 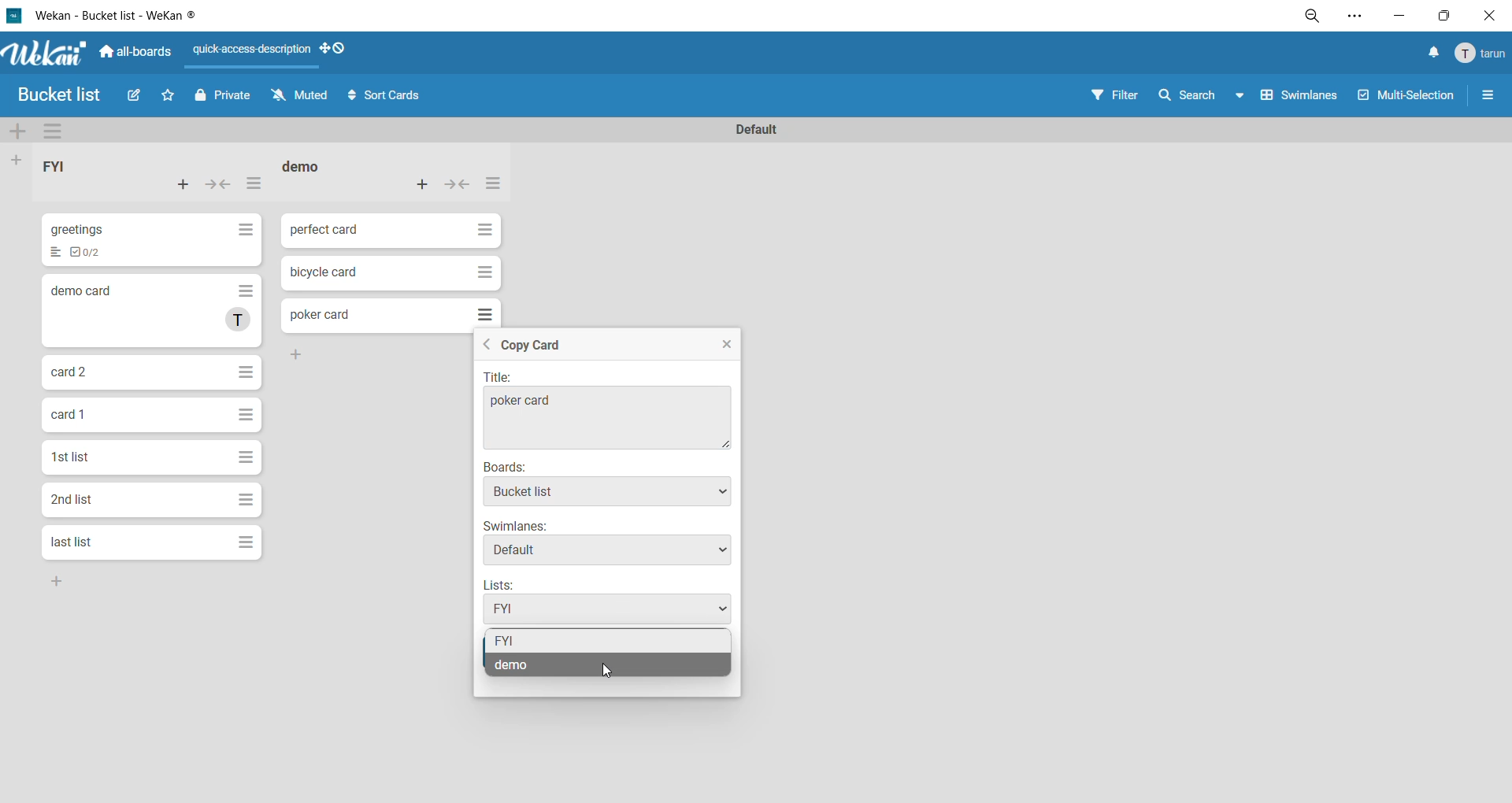 What do you see at coordinates (242, 372) in the screenshot?
I see `Hamburger` at bounding box center [242, 372].